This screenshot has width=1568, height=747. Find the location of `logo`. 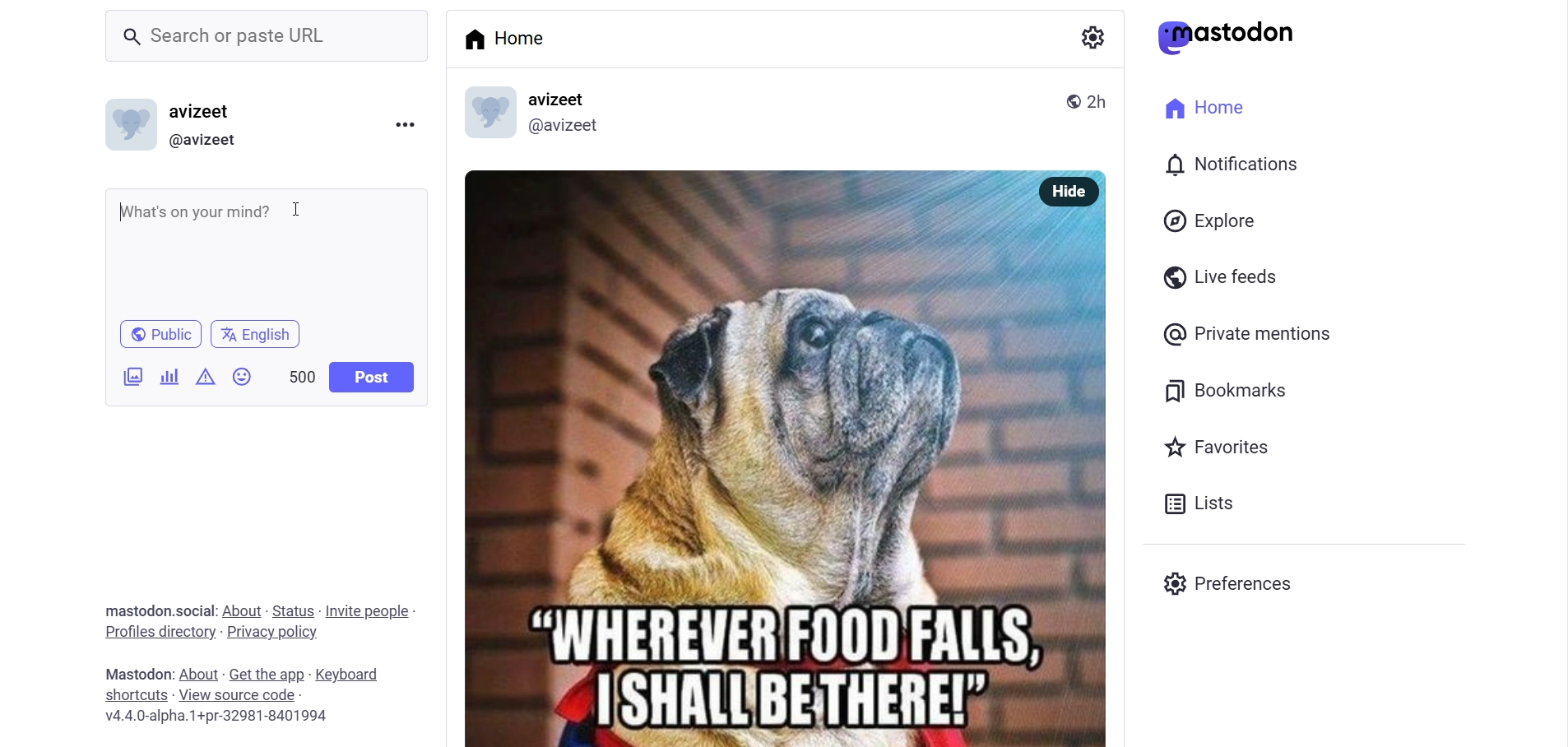

logo is located at coordinates (490, 110).